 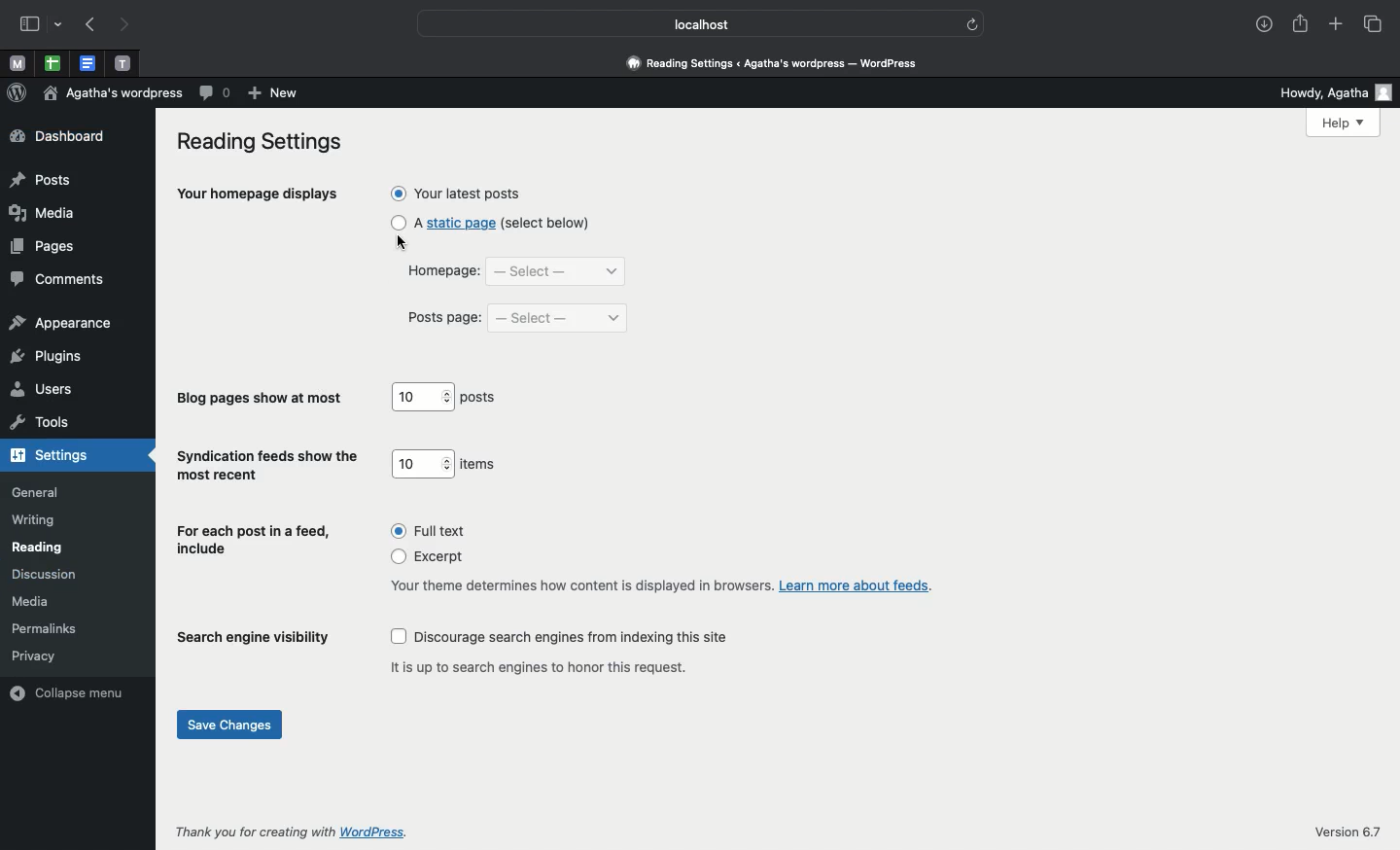 I want to click on discussion, so click(x=44, y=575).